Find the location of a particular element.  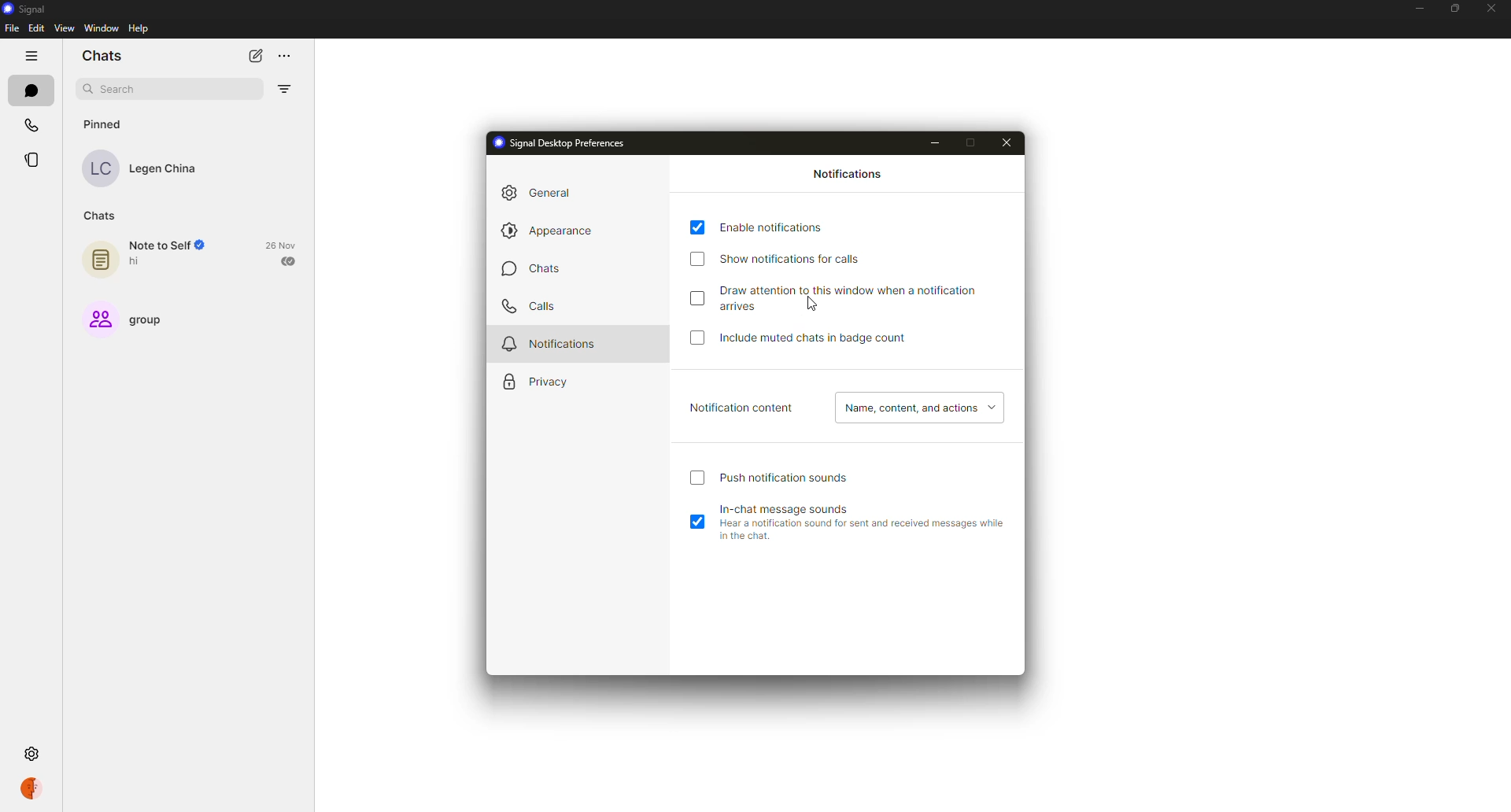

click to enable is located at coordinates (702, 475).